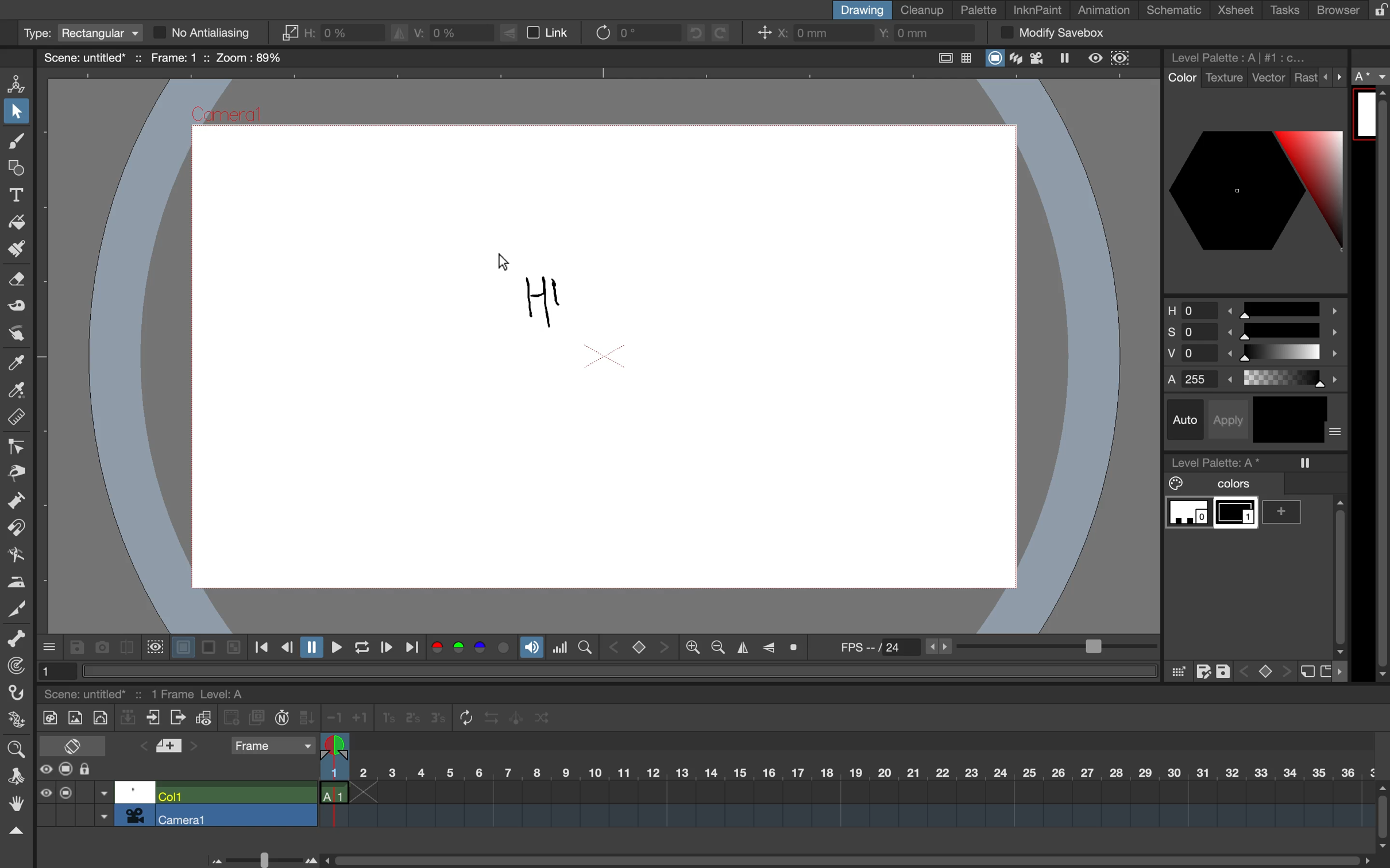 The width and height of the screenshot is (1390, 868). I want to click on xsheet, so click(1238, 11).